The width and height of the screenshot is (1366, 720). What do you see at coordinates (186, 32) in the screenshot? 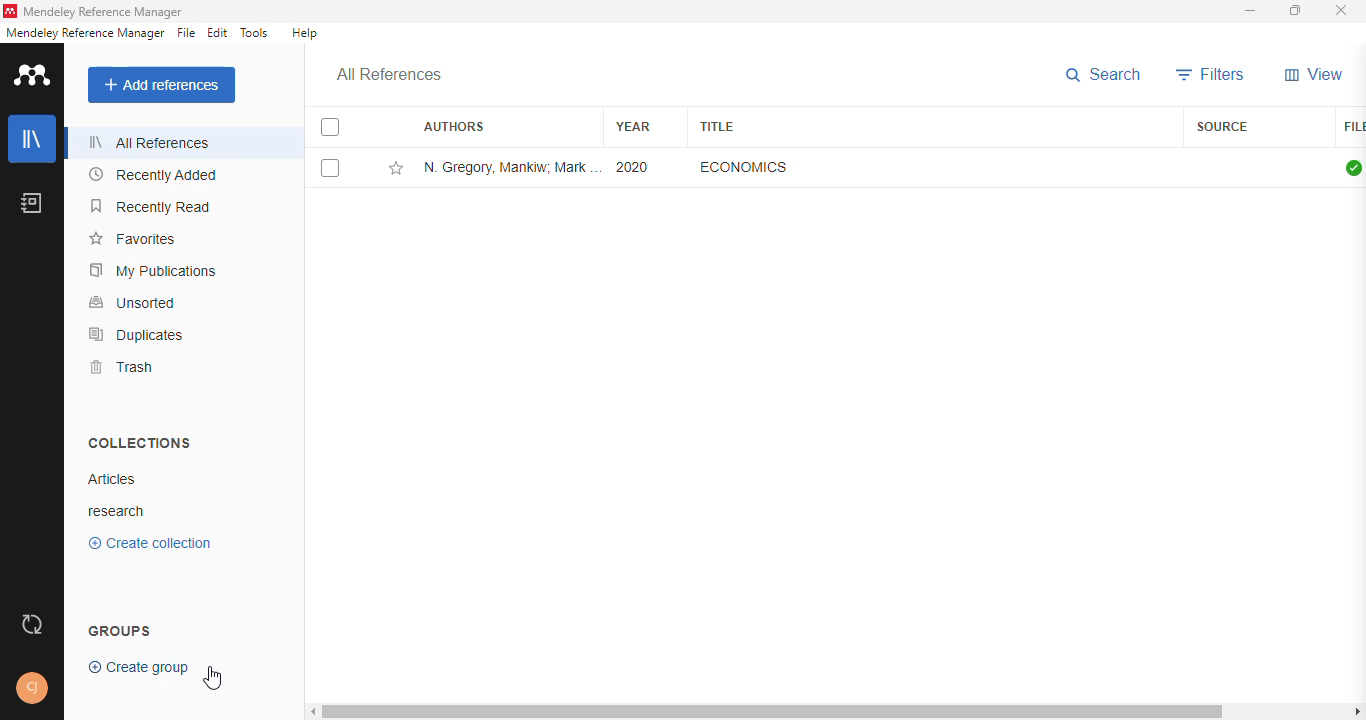
I see `file` at bounding box center [186, 32].